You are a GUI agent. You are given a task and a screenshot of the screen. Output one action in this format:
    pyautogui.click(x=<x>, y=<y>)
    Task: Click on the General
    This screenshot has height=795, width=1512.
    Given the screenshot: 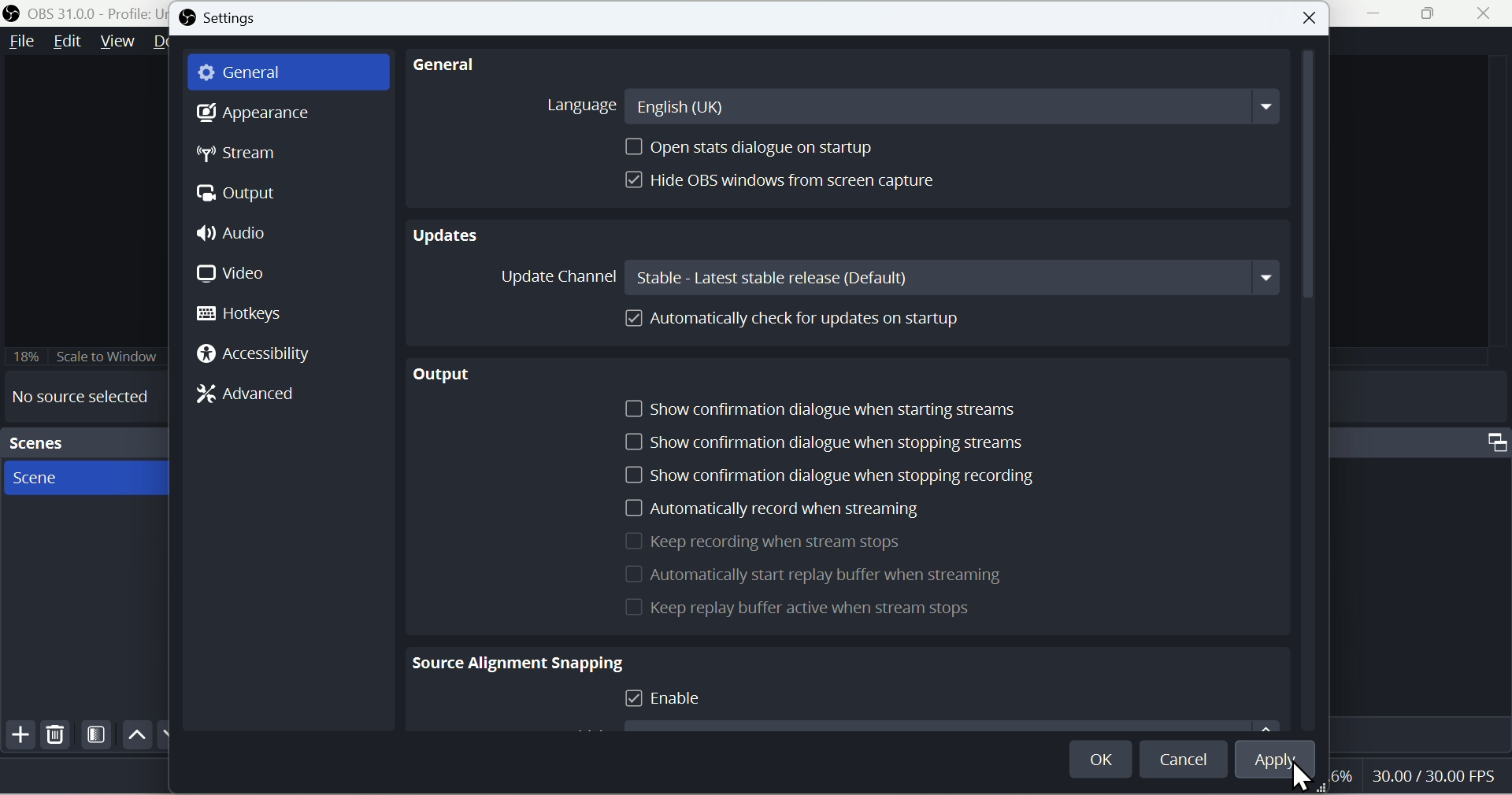 What is the action you would take?
    pyautogui.click(x=254, y=73)
    